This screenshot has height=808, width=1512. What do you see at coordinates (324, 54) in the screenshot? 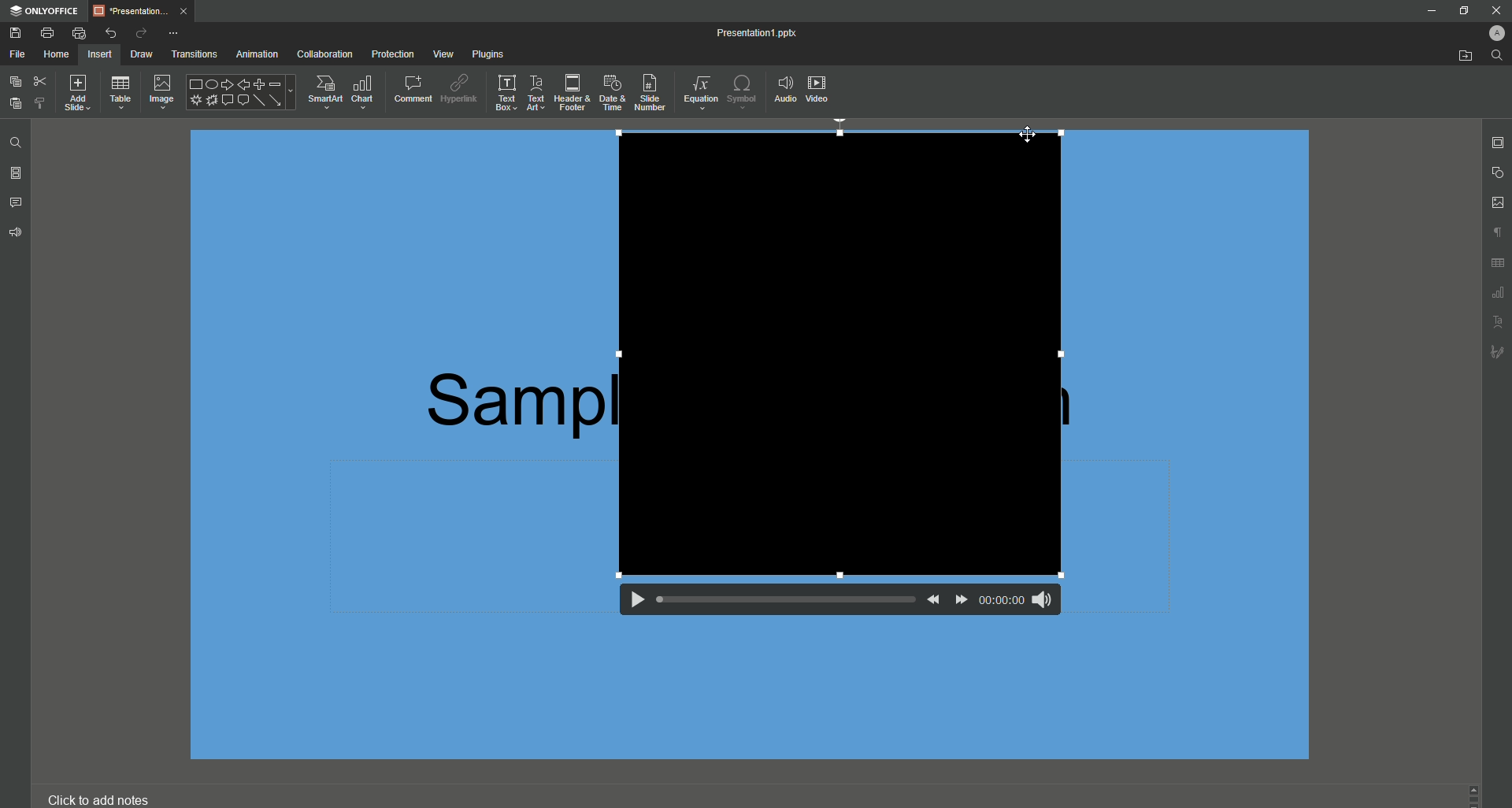
I see `Collaboration` at bounding box center [324, 54].